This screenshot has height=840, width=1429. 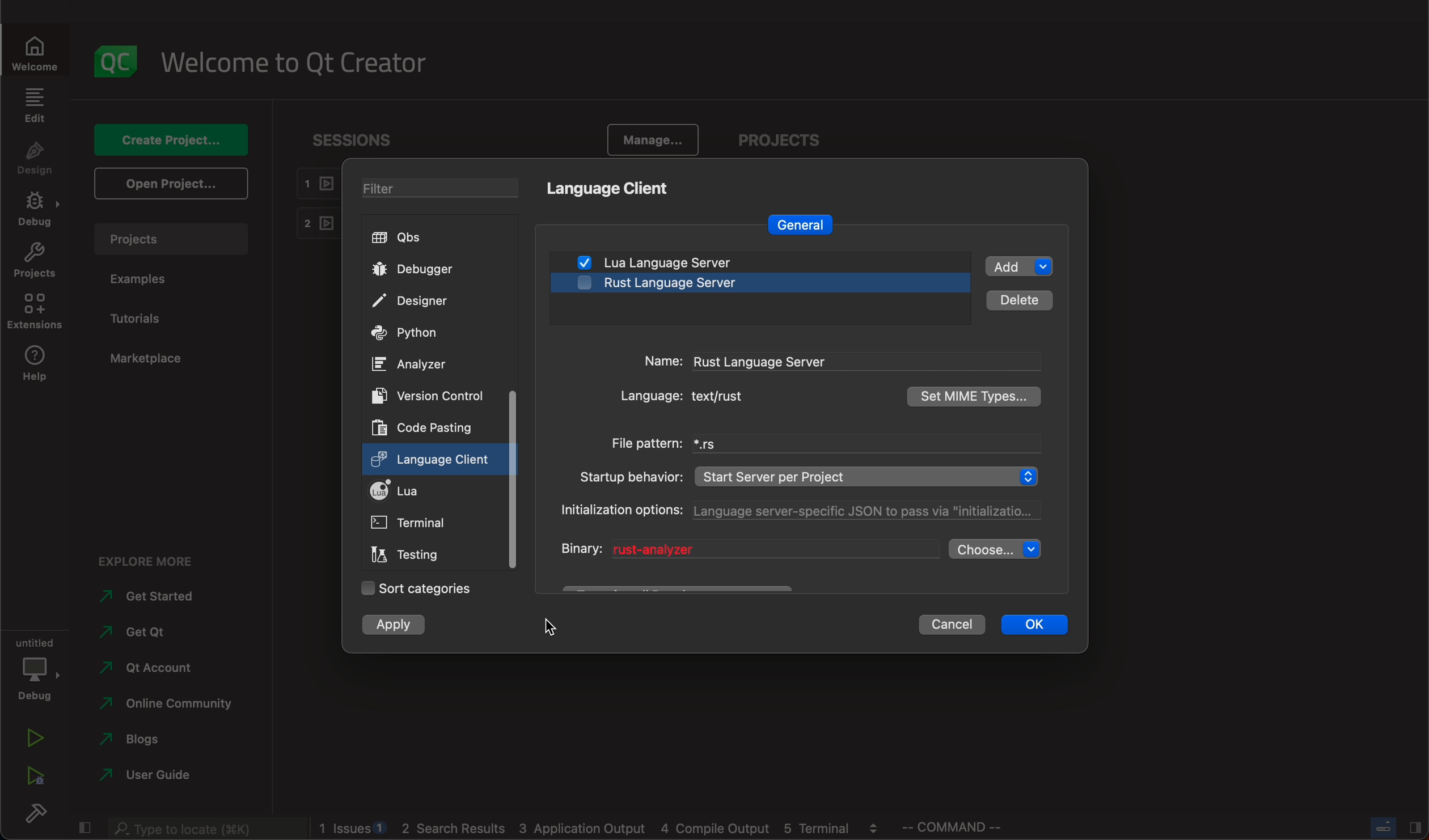 What do you see at coordinates (702, 400) in the screenshot?
I see `language` at bounding box center [702, 400].